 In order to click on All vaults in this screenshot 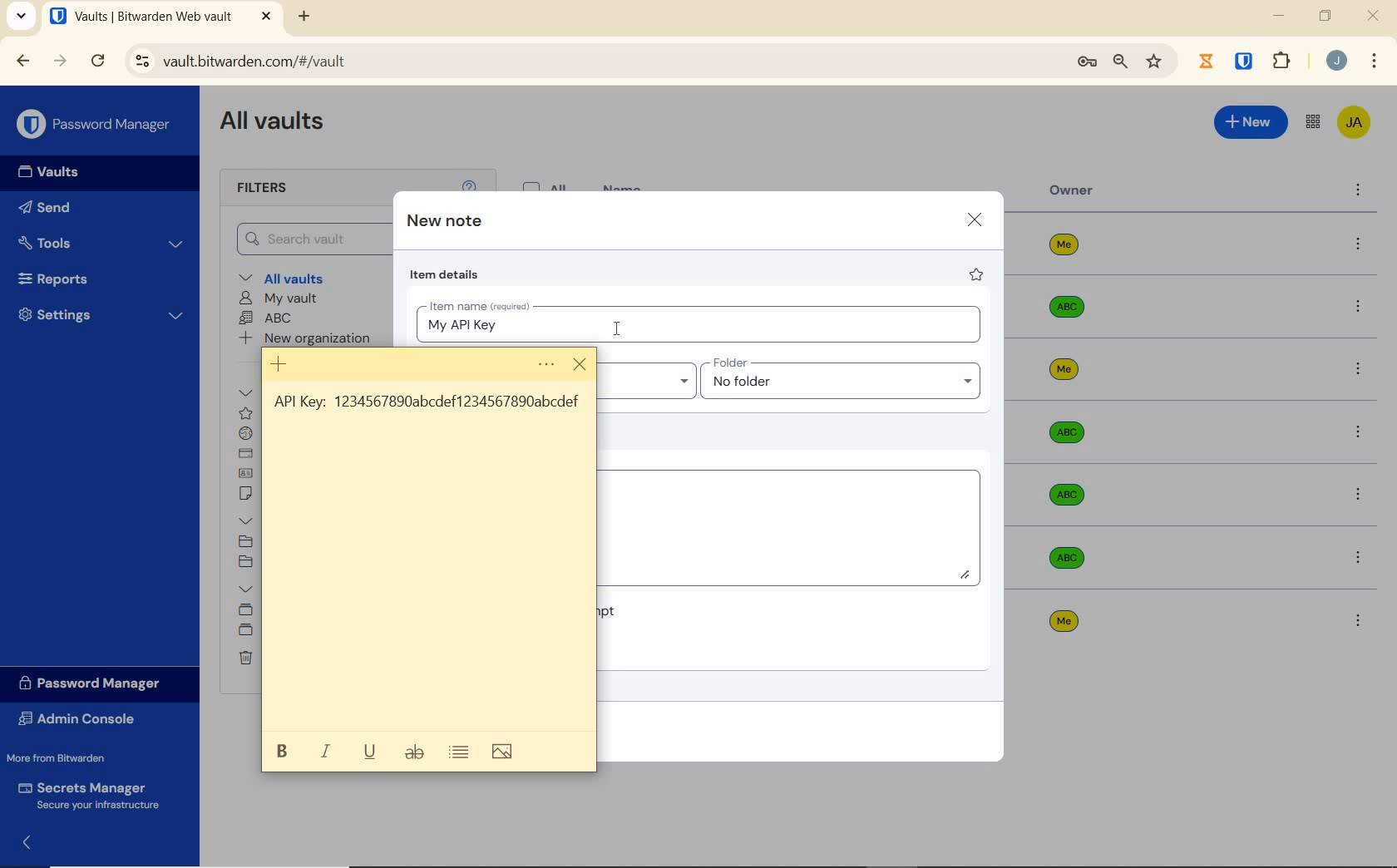, I will do `click(297, 279)`.